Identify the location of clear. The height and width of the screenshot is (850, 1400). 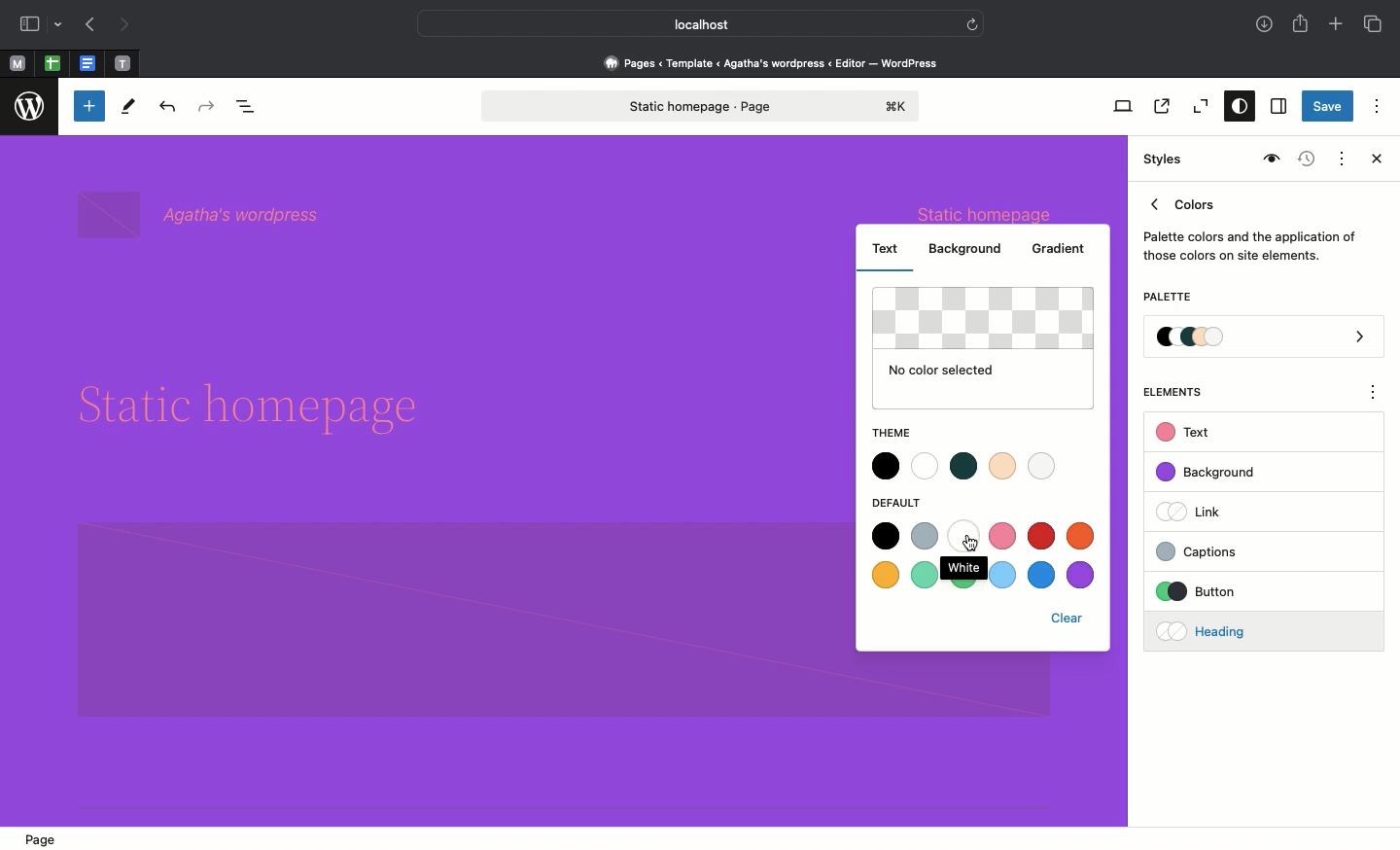
(1072, 618).